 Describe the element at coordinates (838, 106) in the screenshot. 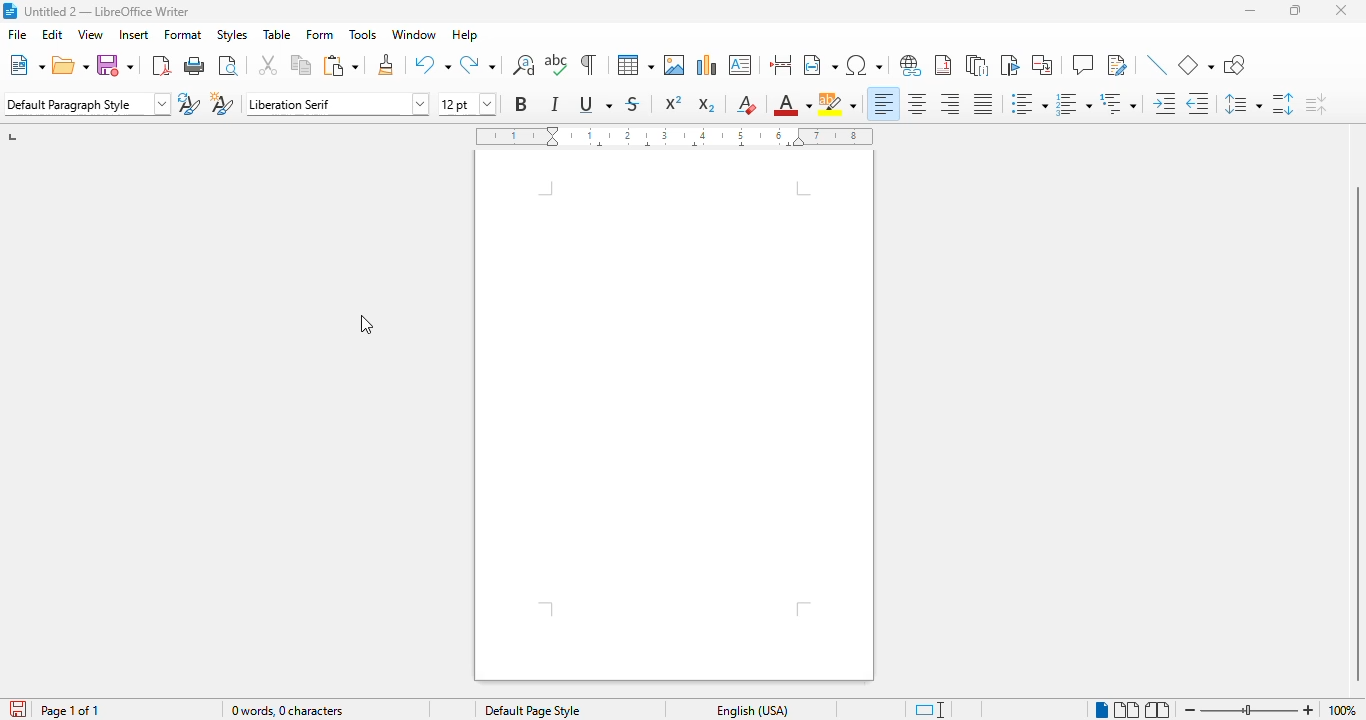

I see `character highlighting color` at that location.